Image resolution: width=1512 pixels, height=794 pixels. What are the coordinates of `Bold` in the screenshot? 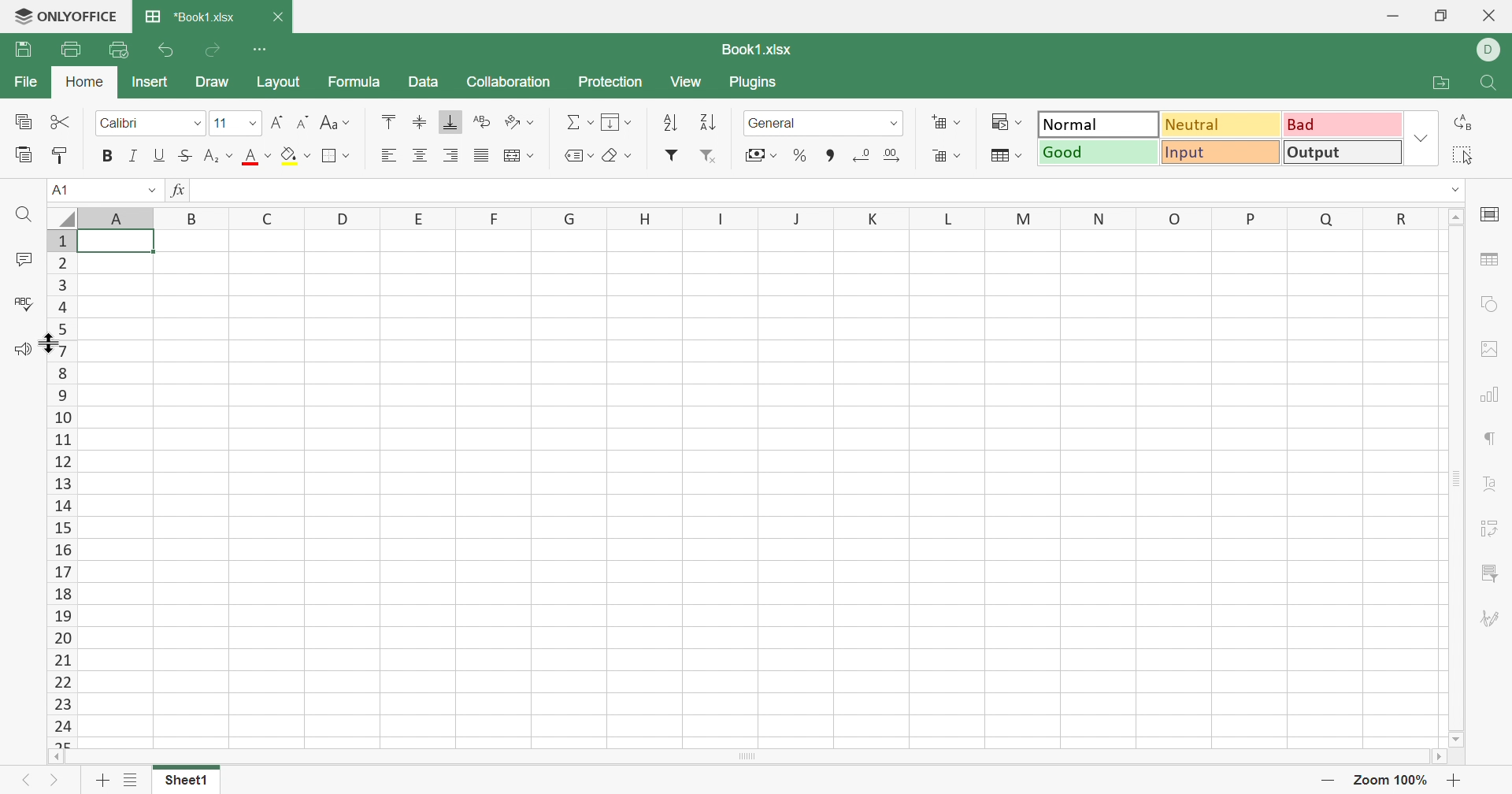 It's located at (106, 156).